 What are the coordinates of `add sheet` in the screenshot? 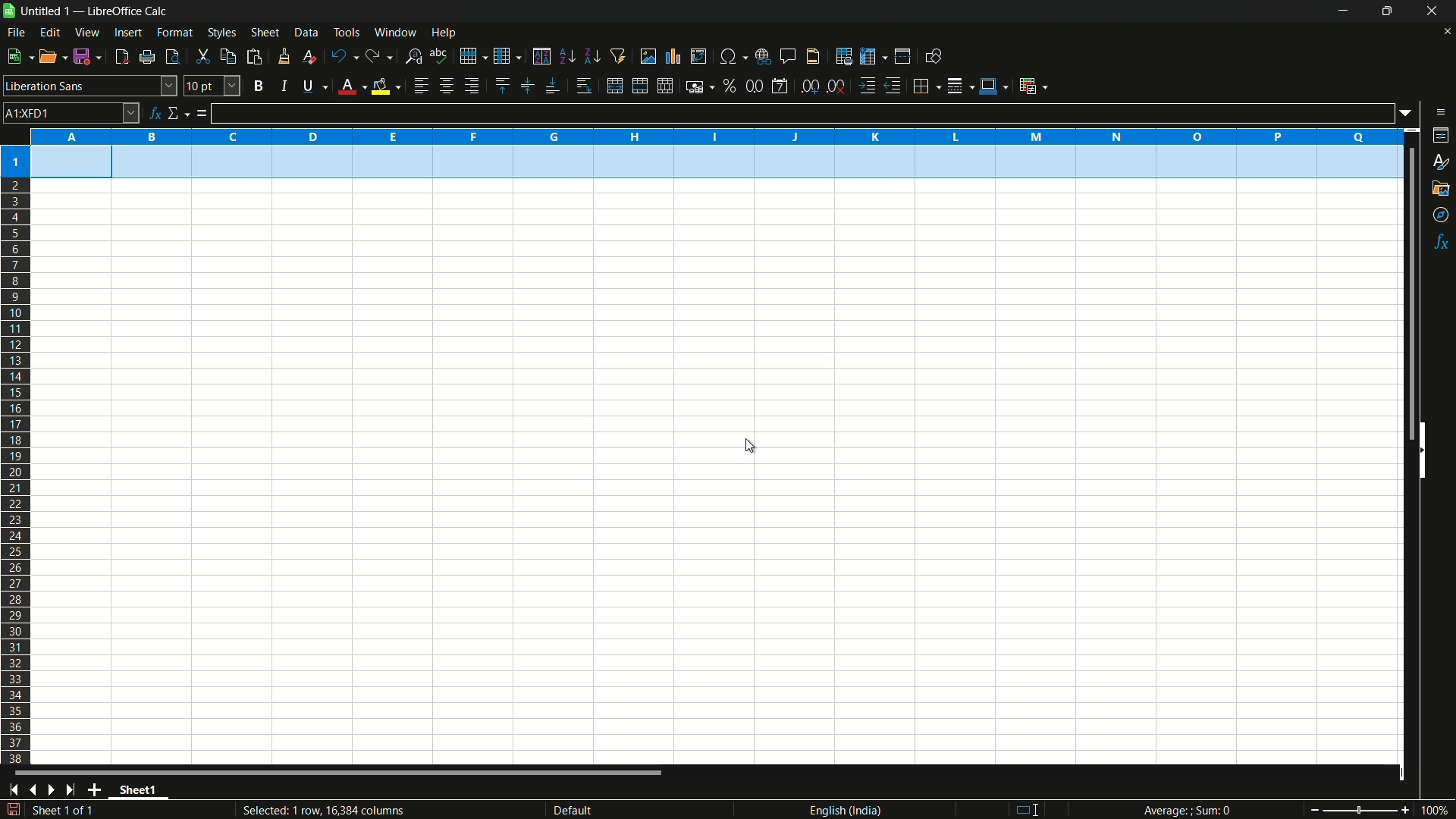 It's located at (98, 789).